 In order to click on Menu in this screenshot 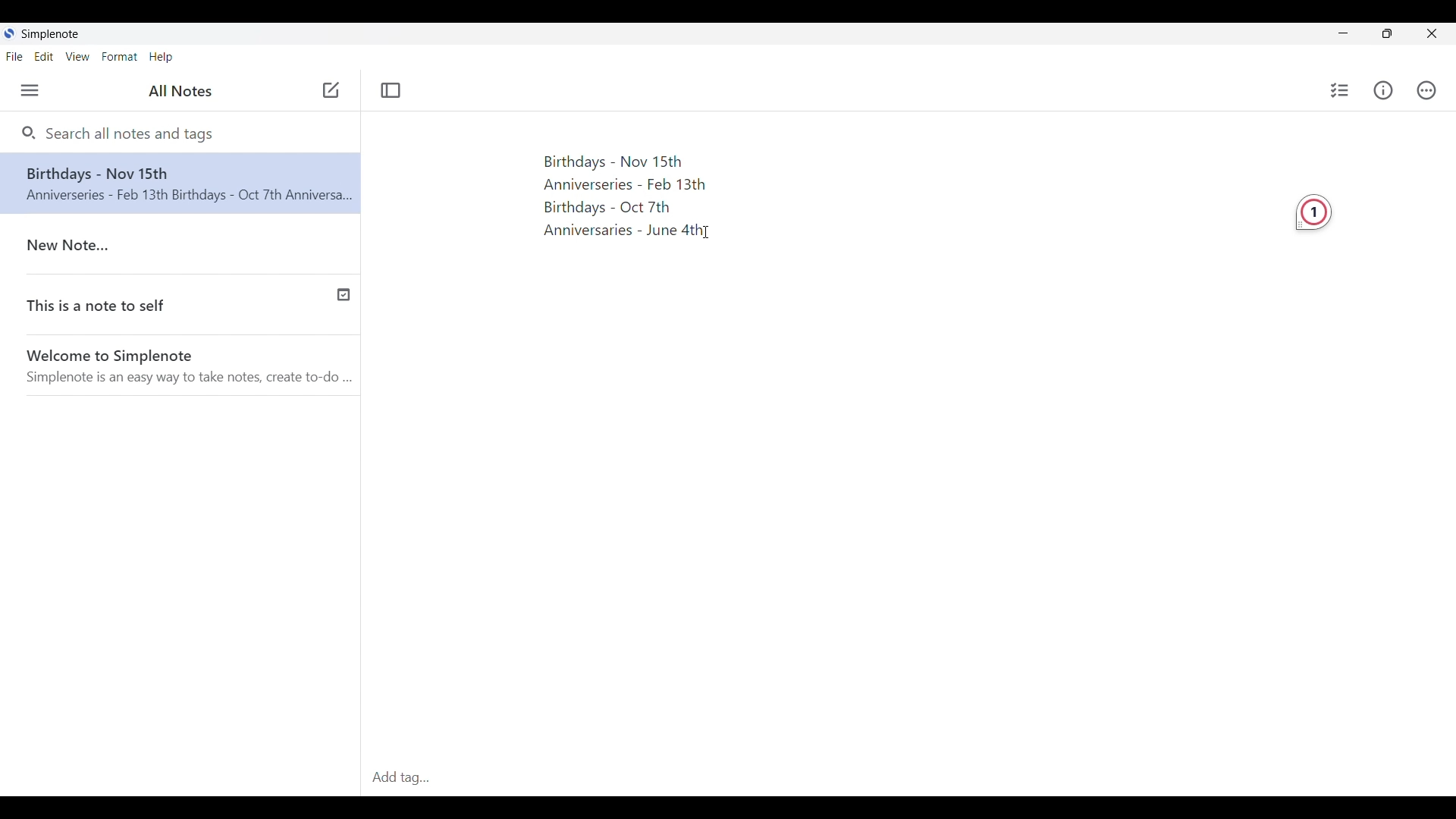, I will do `click(30, 90)`.